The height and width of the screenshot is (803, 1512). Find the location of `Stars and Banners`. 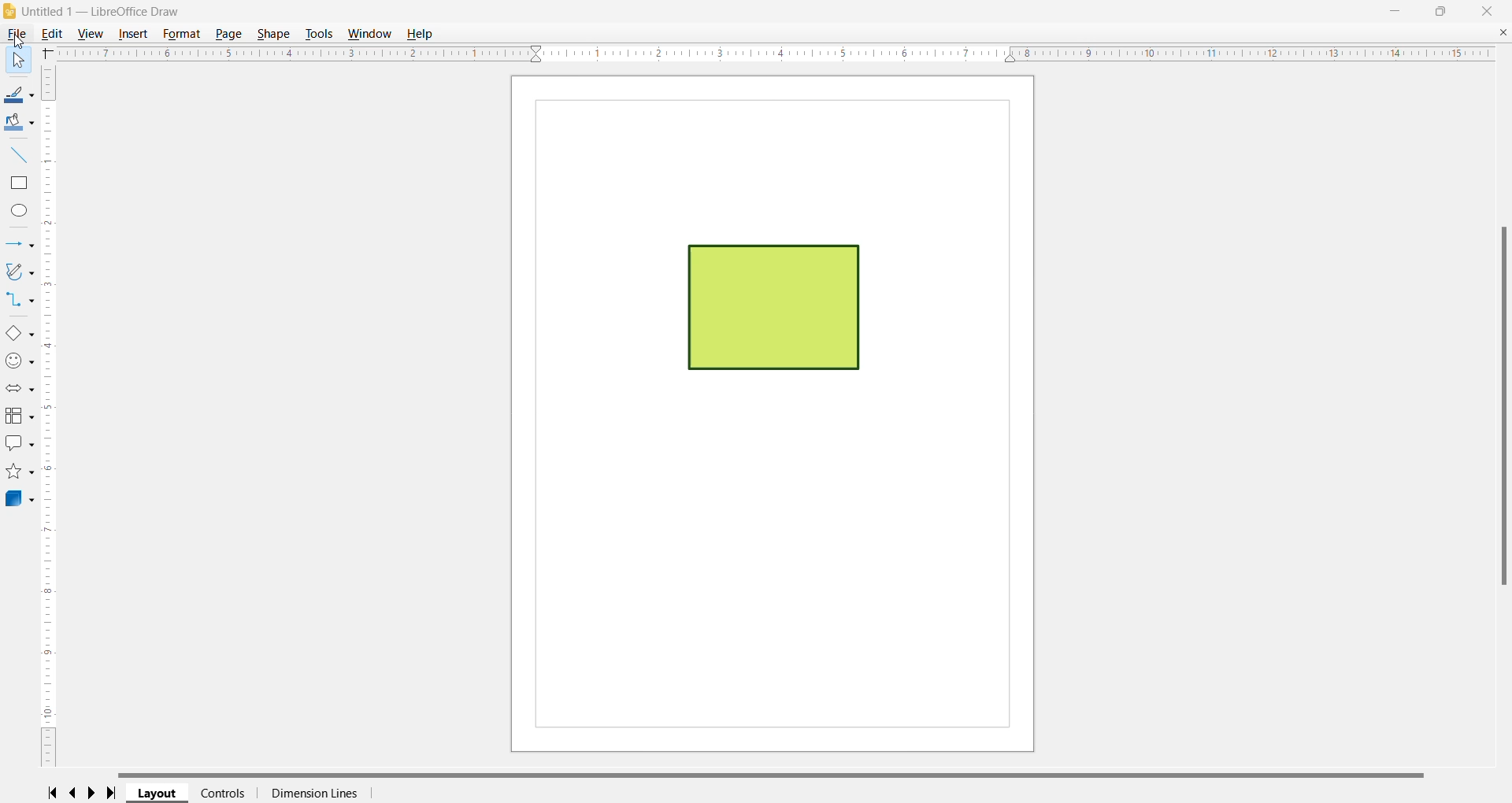

Stars and Banners is located at coordinates (19, 472).